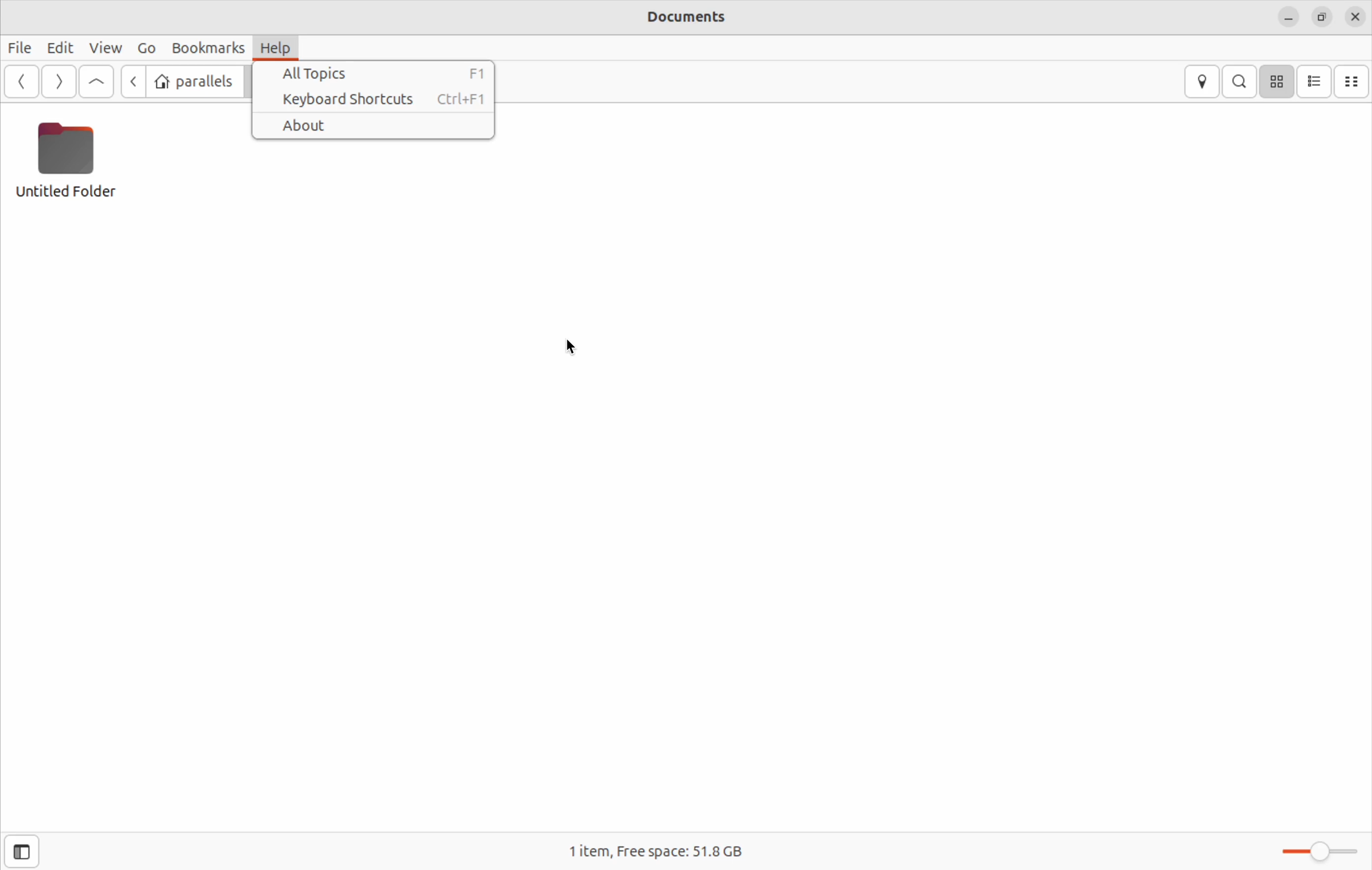 Image resolution: width=1372 pixels, height=870 pixels. What do you see at coordinates (103, 48) in the screenshot?
I see `view` at bounding box center [103, 48].